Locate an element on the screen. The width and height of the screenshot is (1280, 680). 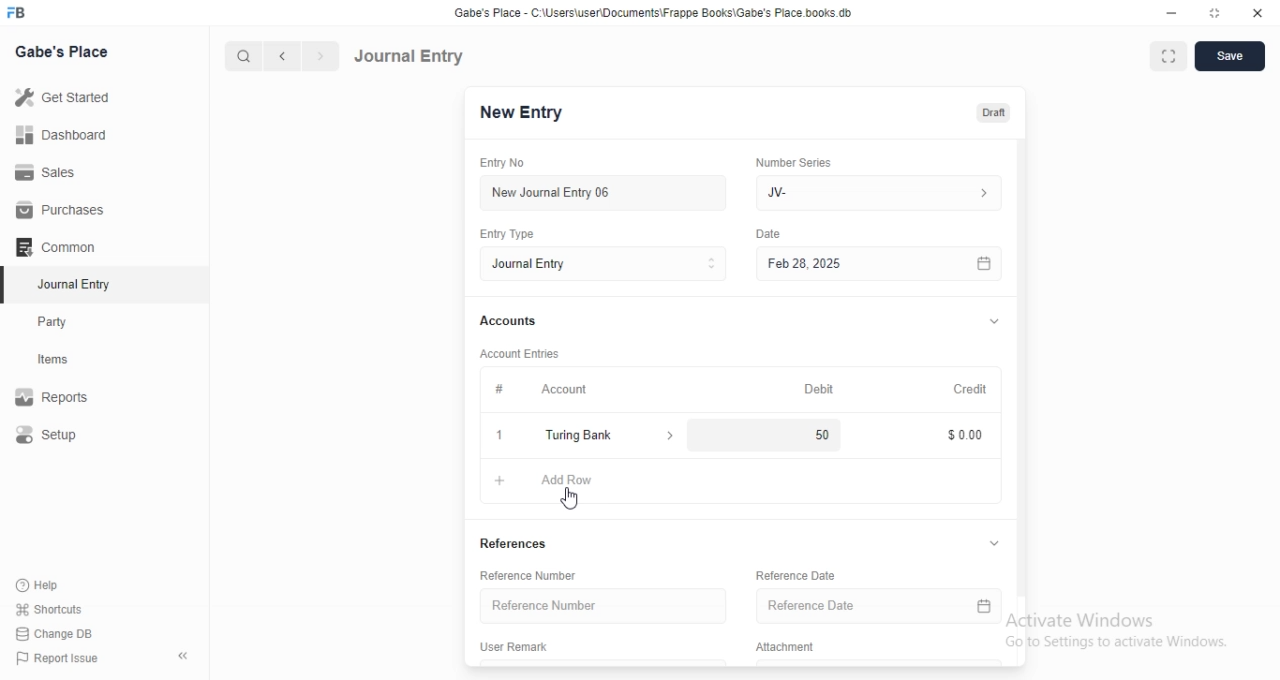
‘Number Series is located at coordinates (805, 160).